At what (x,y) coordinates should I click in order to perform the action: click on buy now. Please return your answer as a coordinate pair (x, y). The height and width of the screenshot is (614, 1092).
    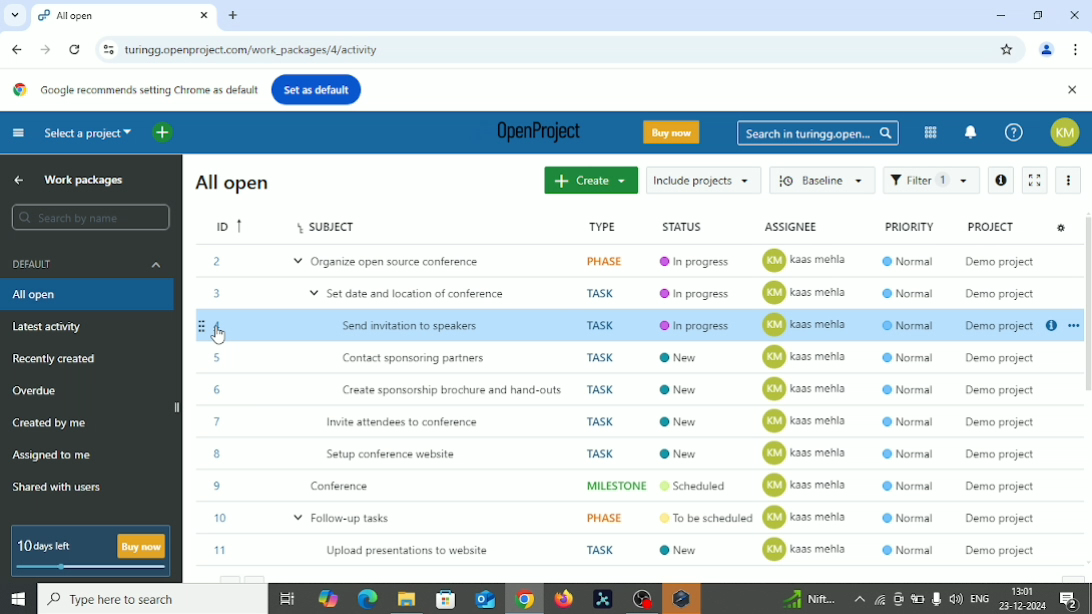
    Looking at the image, I should click on (142, 546).